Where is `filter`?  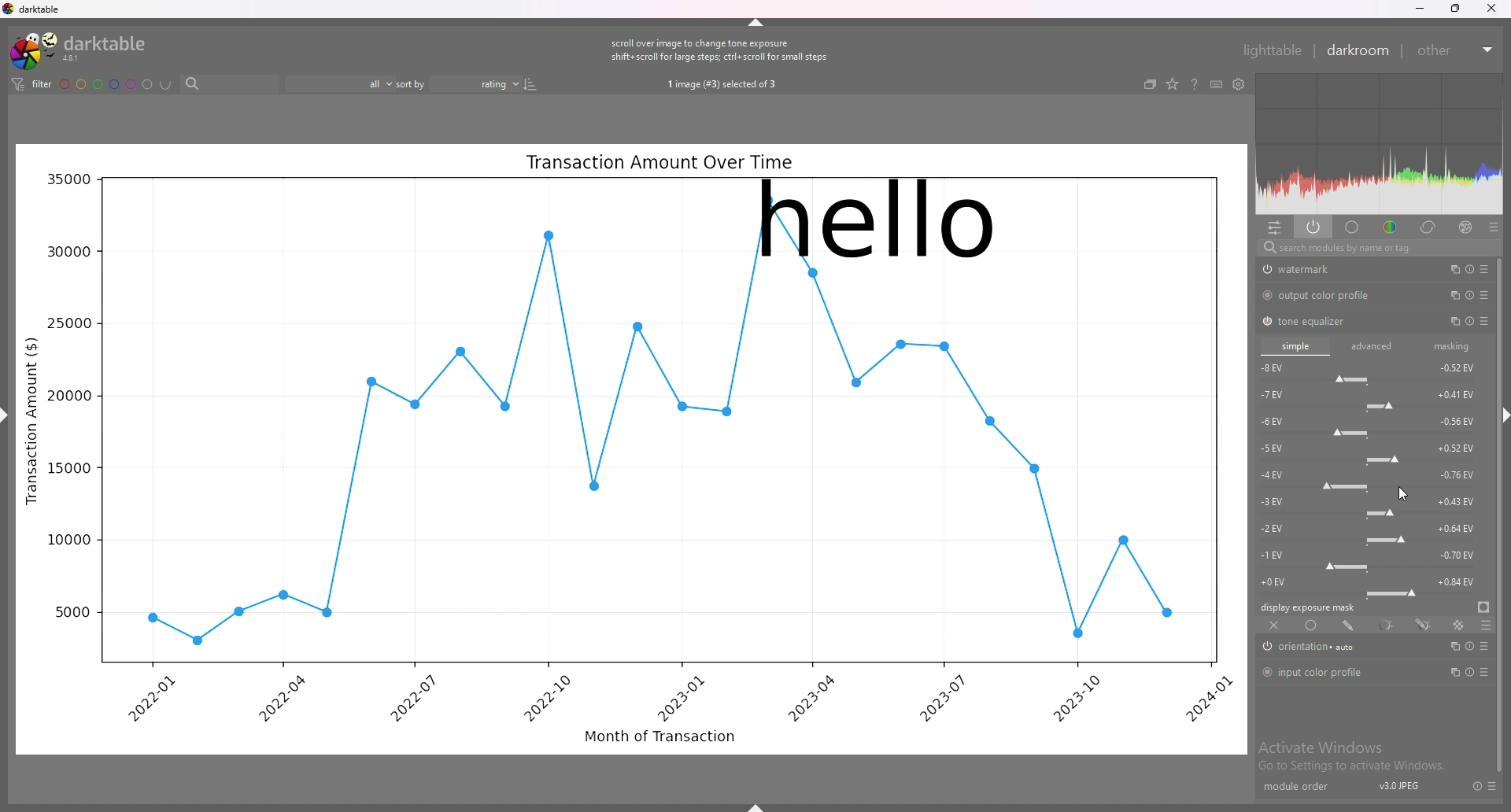 filter is located at coordinates (31, 86).